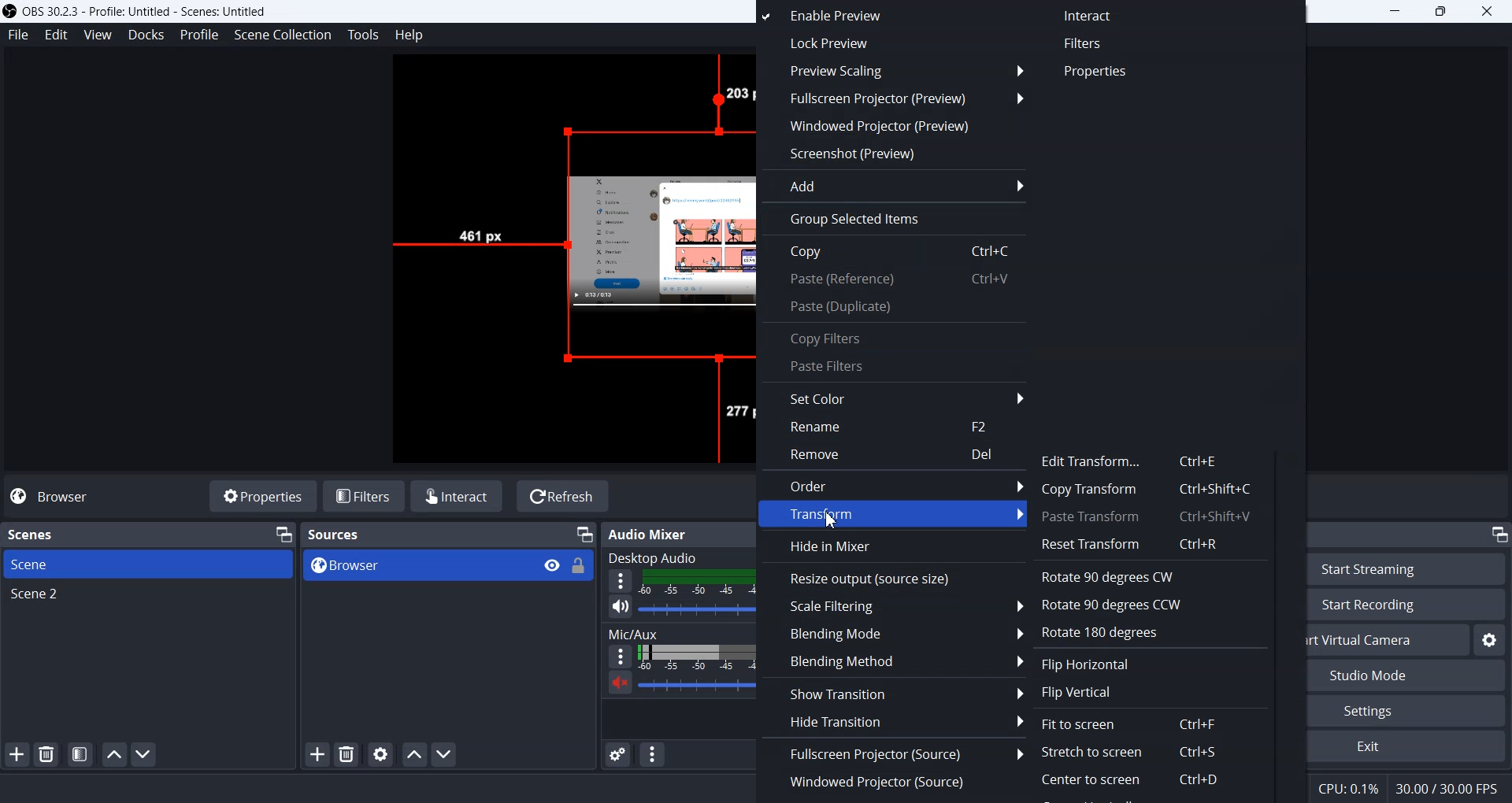 This screenshot has height=803, width=1512. I want to click on View, so click(545, 564).